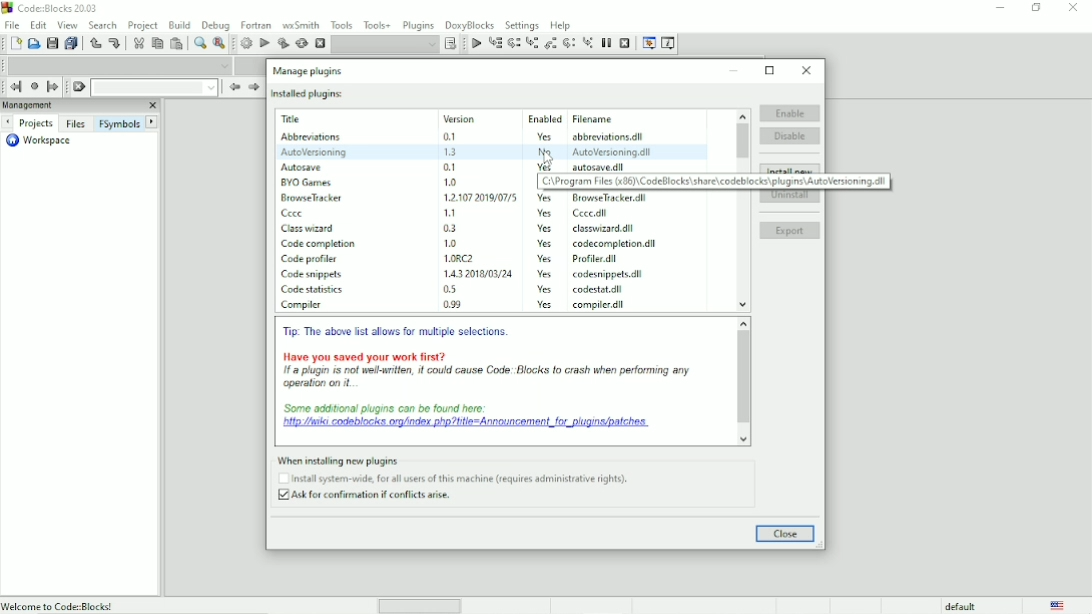 The width and height of the screenshot is (1092, 614). Describe the element at coordinates (309, 94) in the screenshot. I see `Installed plugins` at that location.